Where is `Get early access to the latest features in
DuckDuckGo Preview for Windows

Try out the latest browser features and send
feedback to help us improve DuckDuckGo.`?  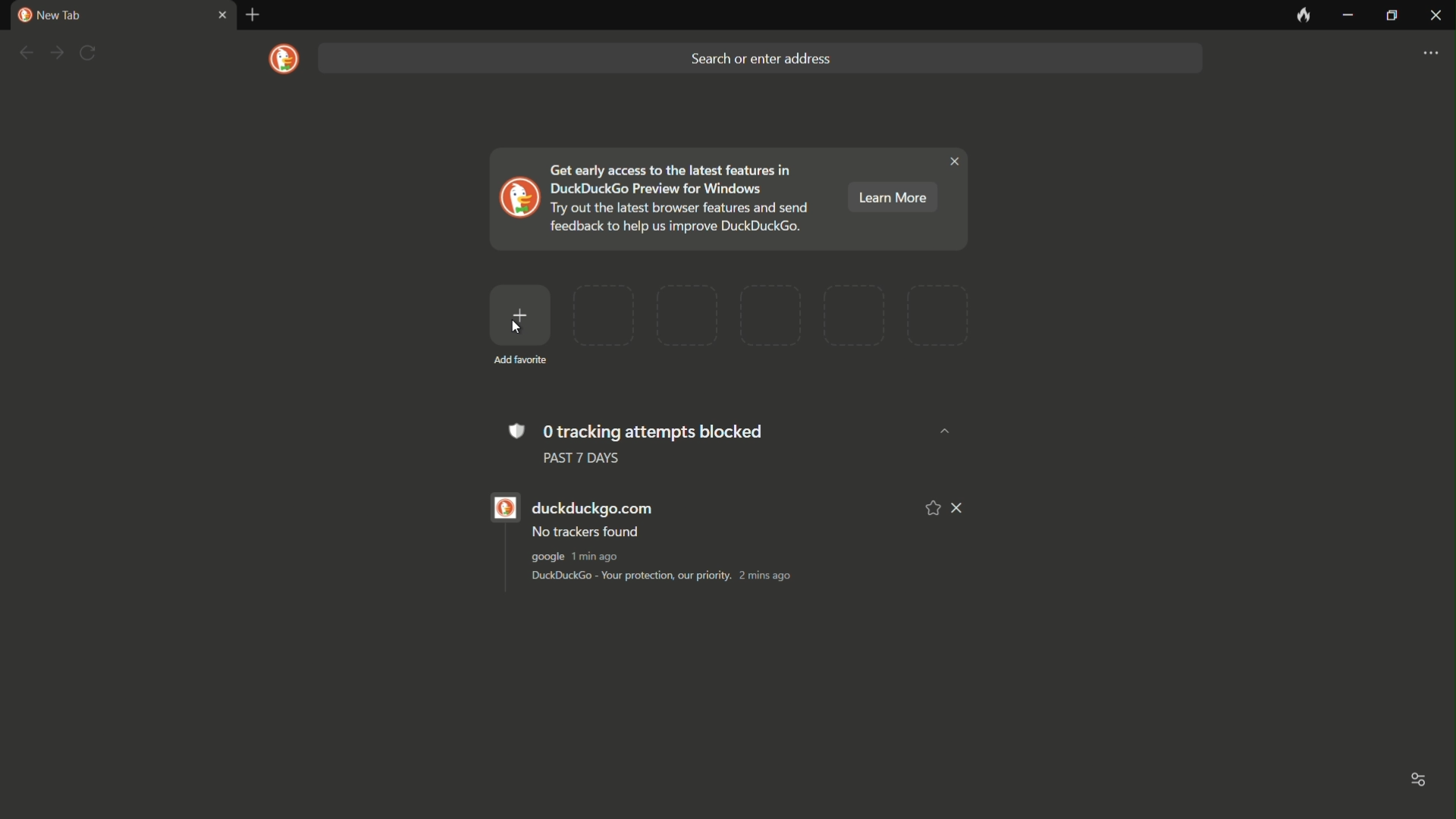 Get early access to the latest features in
DuckDuckGo Preview for Windows

Try out the latest browser features and send
feedback to help us improve DuckDuckGo. is located at coordinates (661, 196).